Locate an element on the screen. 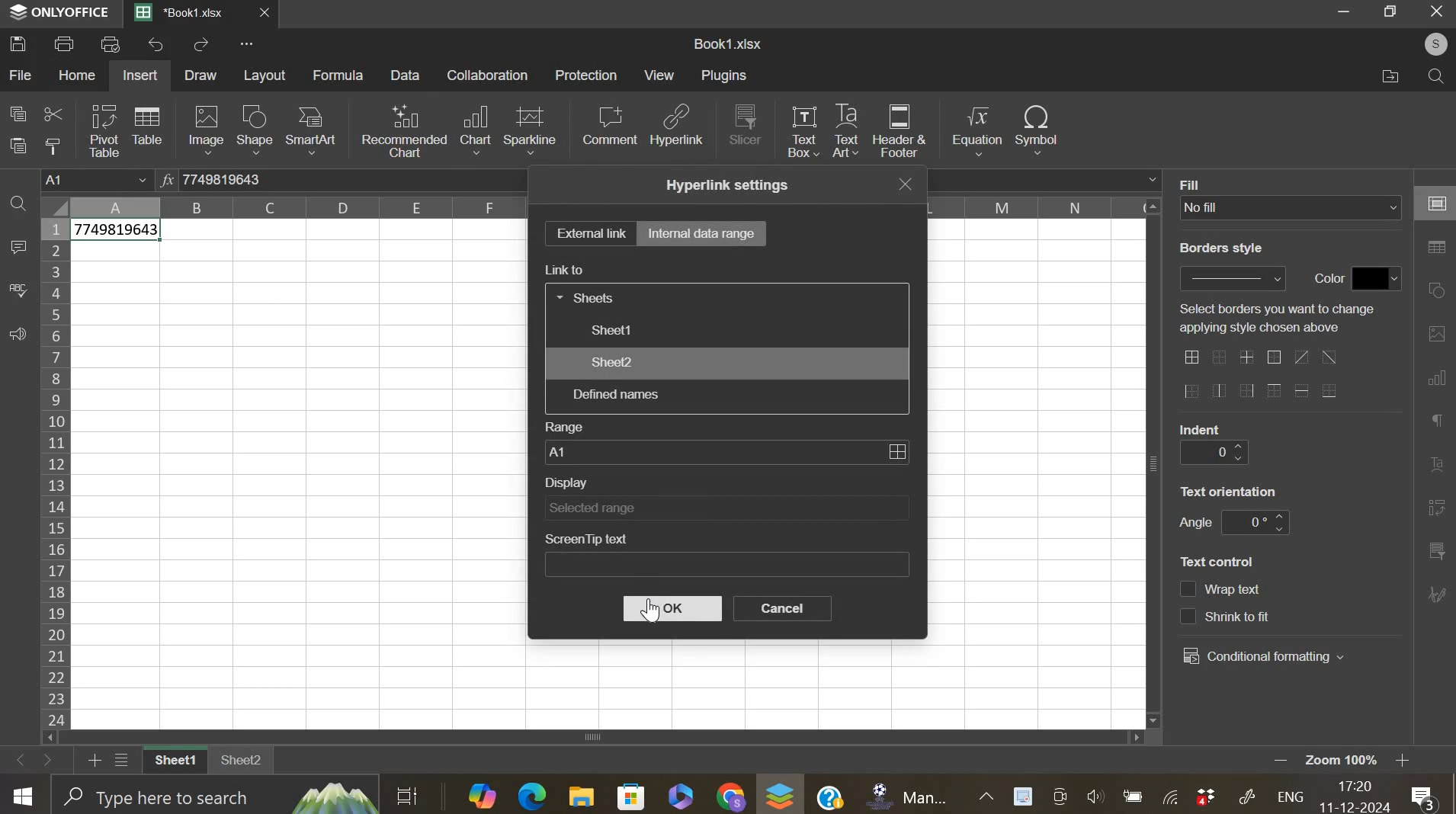  close is located at coordinates (273, 16).